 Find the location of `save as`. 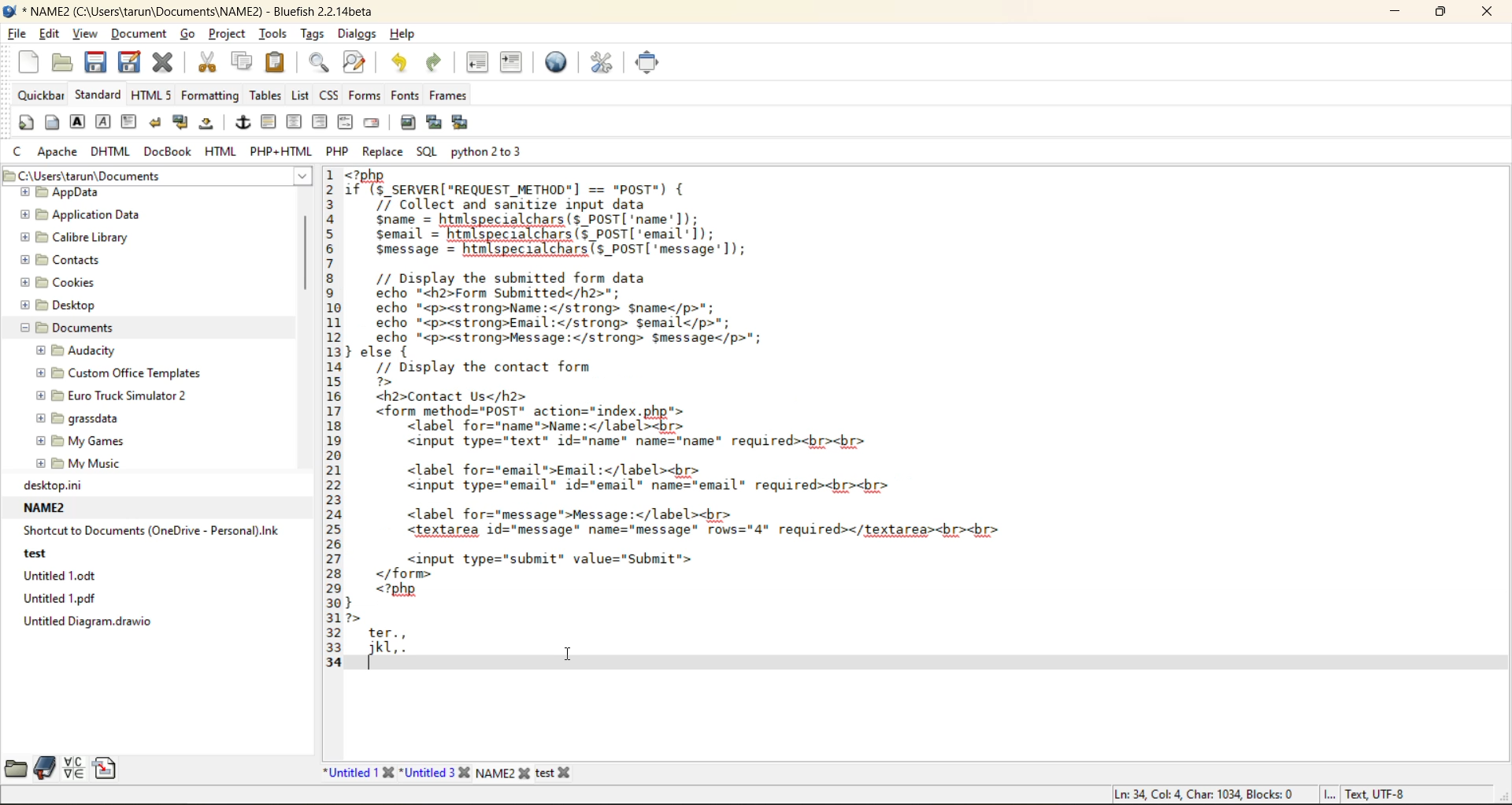

save as is located at coordinates (128, 62).